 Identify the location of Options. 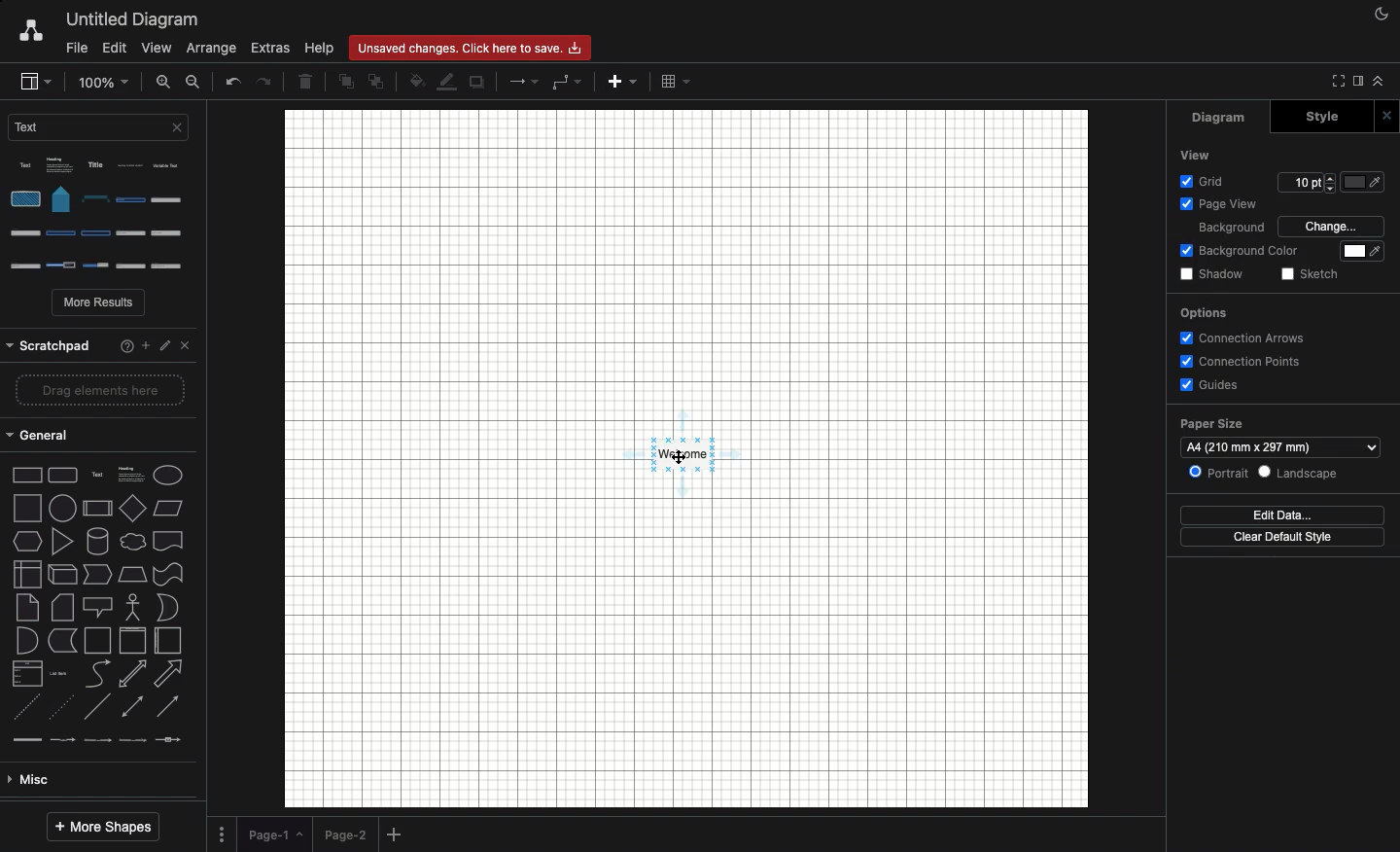
(222, 833).